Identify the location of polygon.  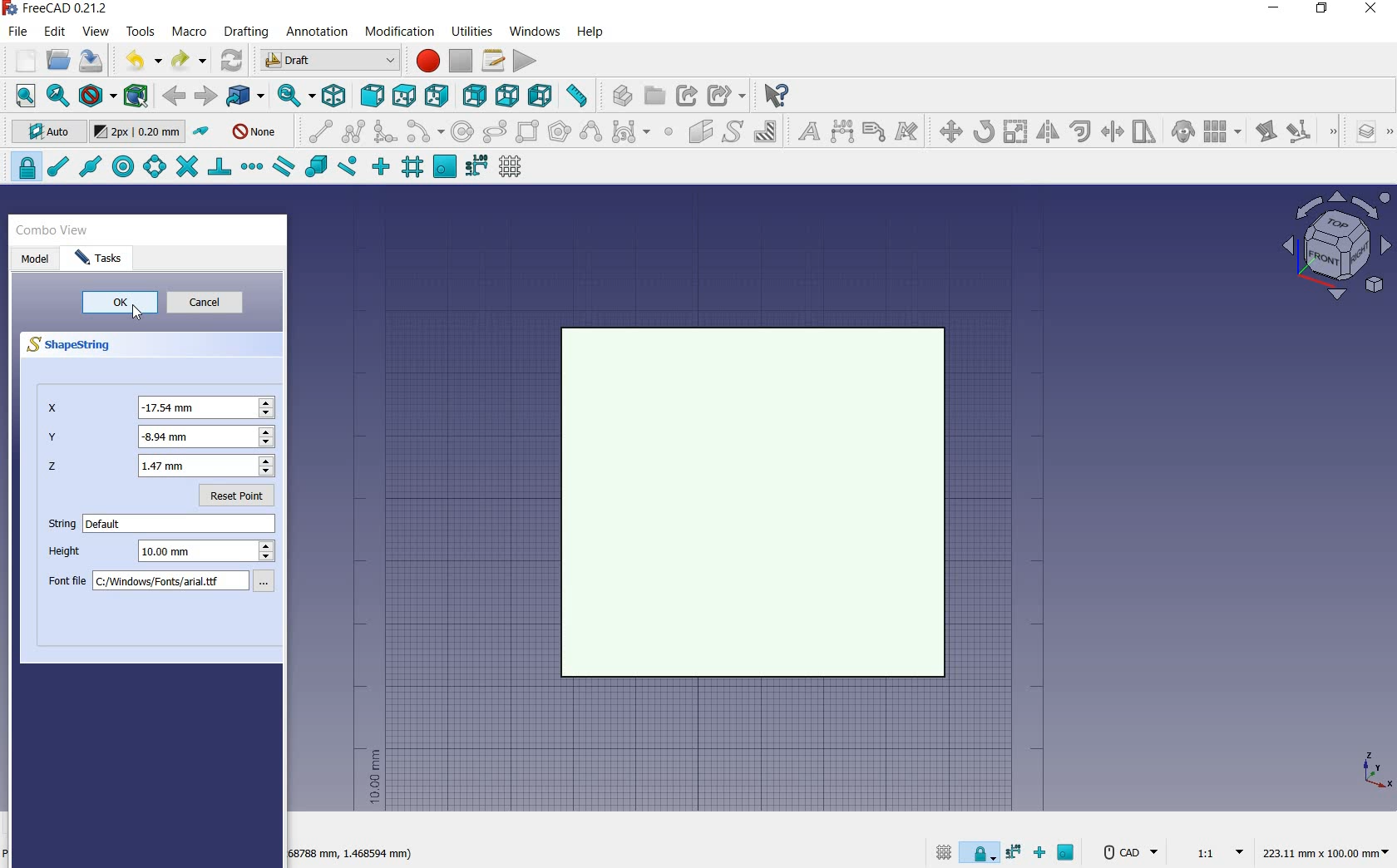
(560, 131).